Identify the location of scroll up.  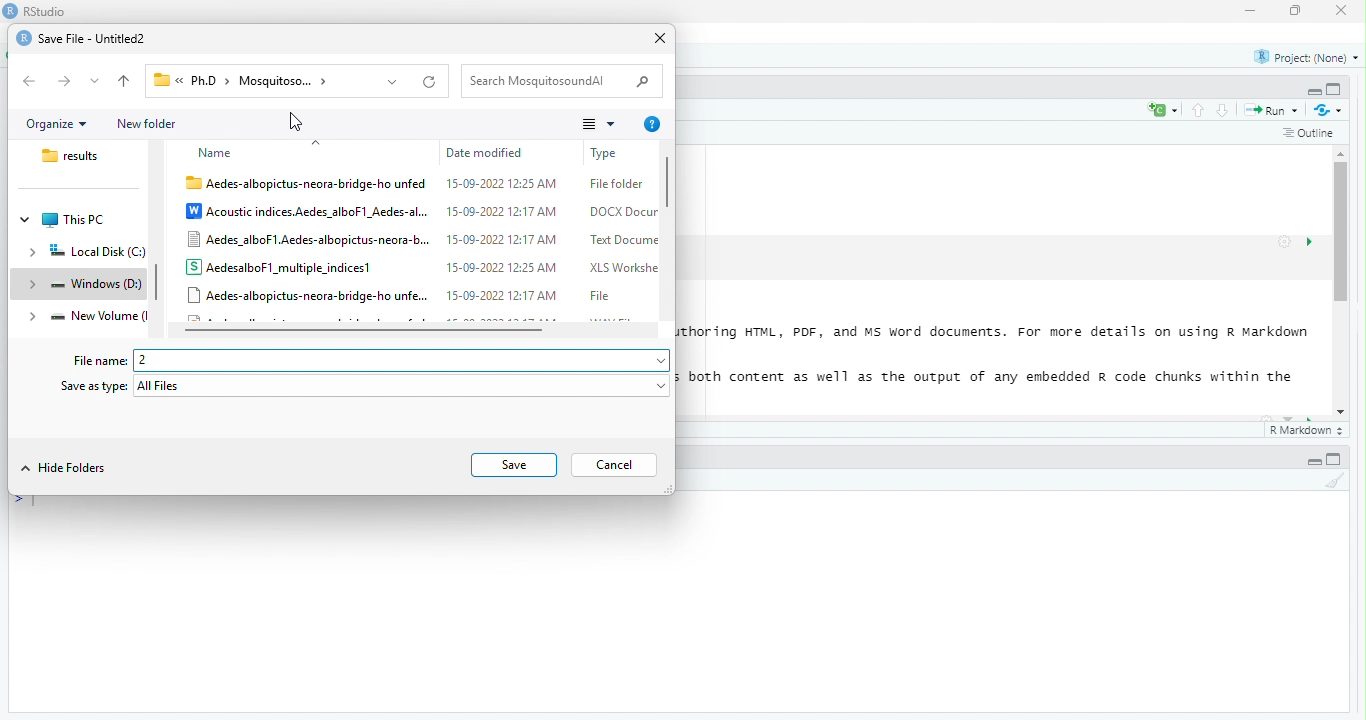
(1343, 153).